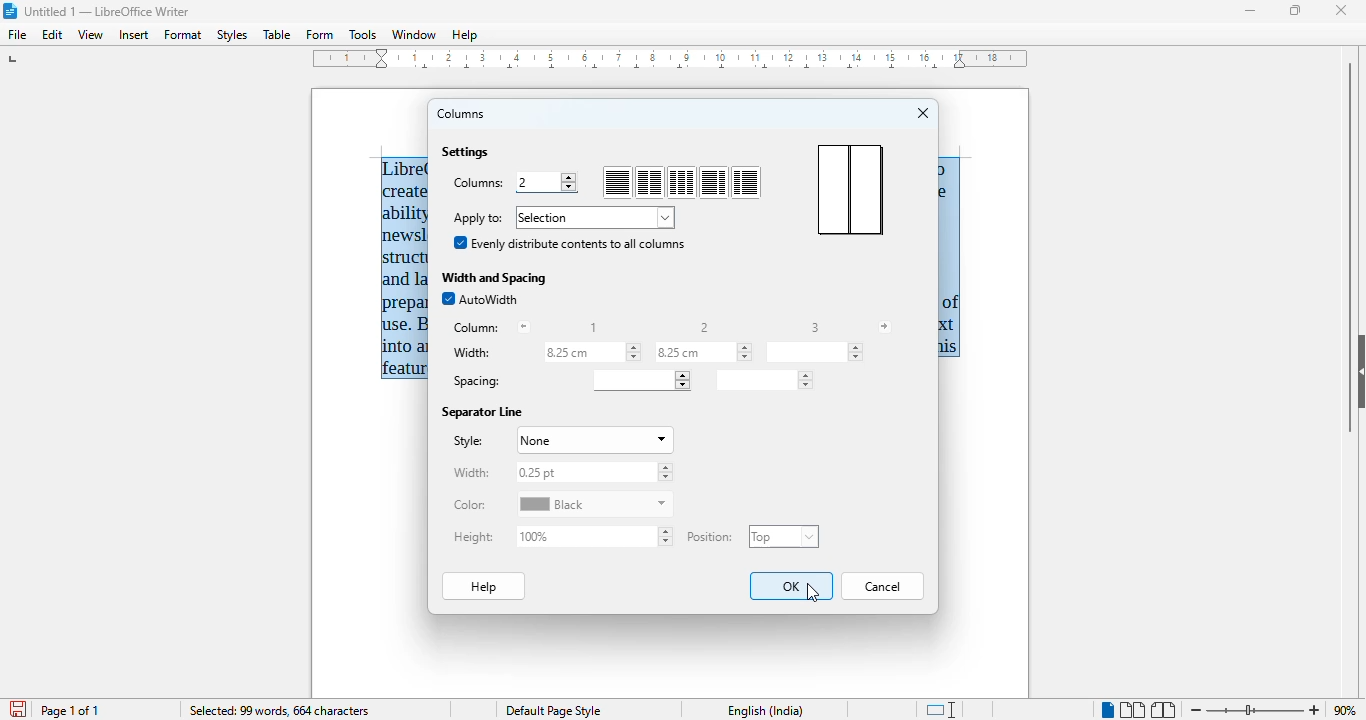 This screenshot has width=1366, height=720. I want to click on 2 columns with equal size, so click(650, 183).